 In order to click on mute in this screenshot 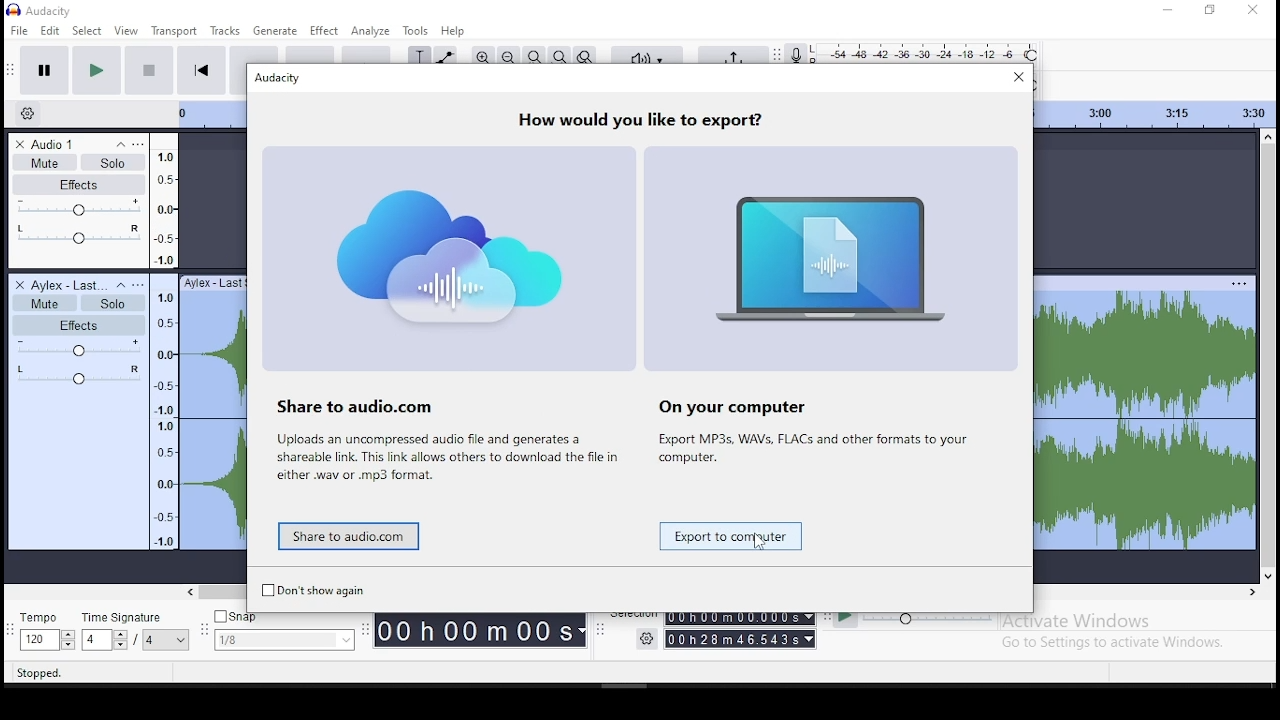, I will do `click(46, 303)`.